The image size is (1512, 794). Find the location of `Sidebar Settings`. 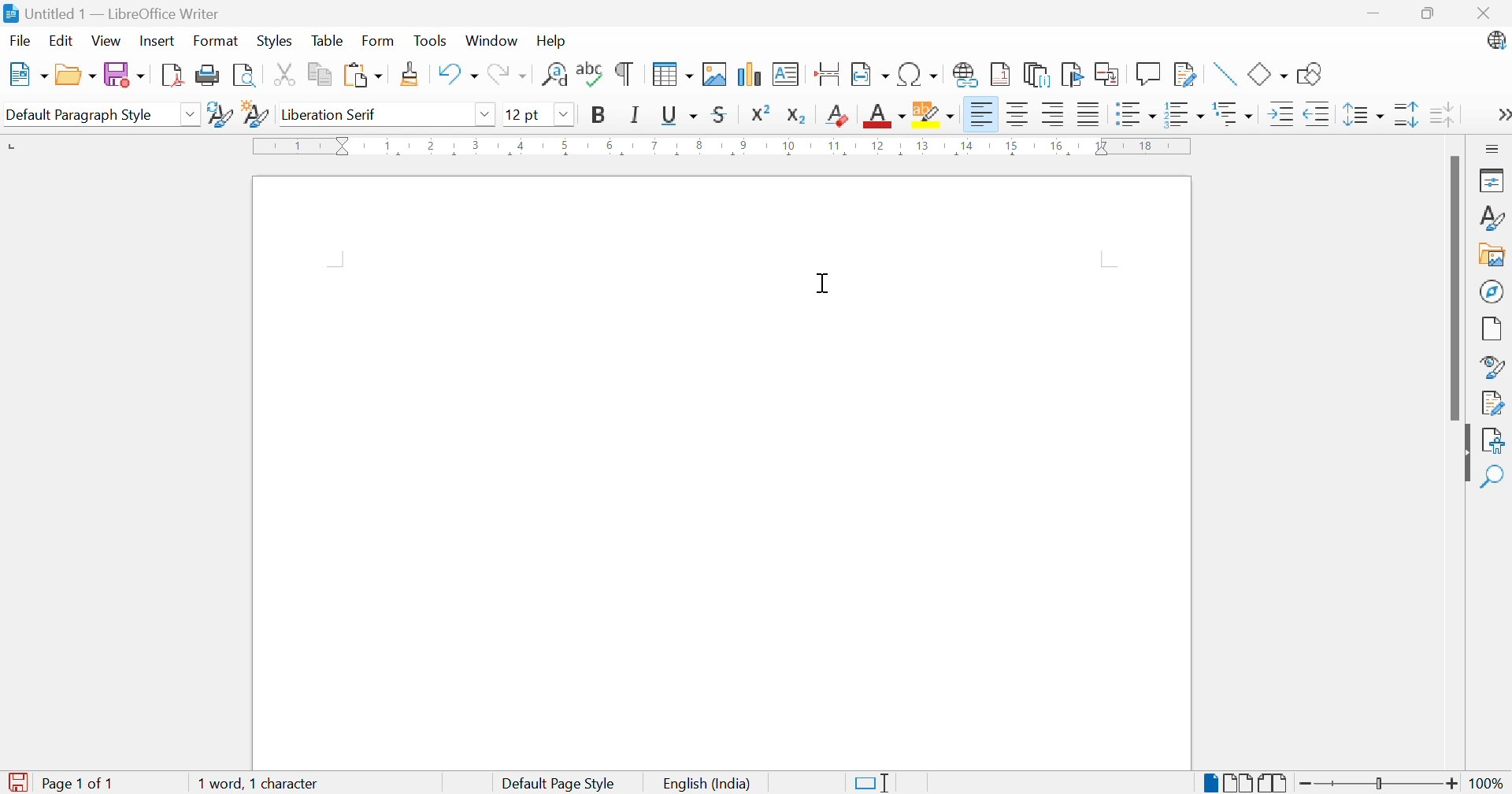

Sidebar Settings is located at coordinates (1490, 148).